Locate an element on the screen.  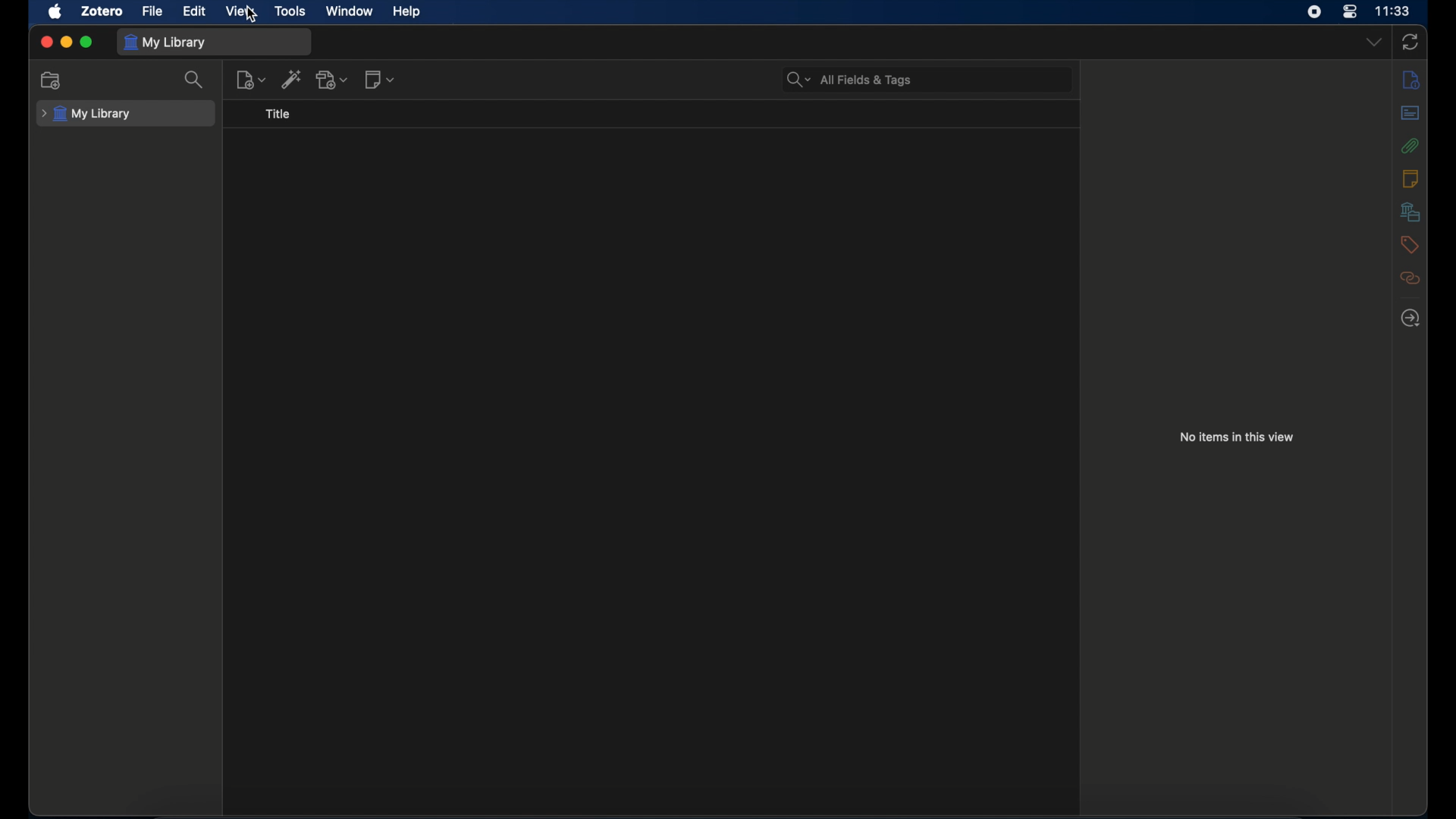
dropdown is located at coordinates (1373, 42).